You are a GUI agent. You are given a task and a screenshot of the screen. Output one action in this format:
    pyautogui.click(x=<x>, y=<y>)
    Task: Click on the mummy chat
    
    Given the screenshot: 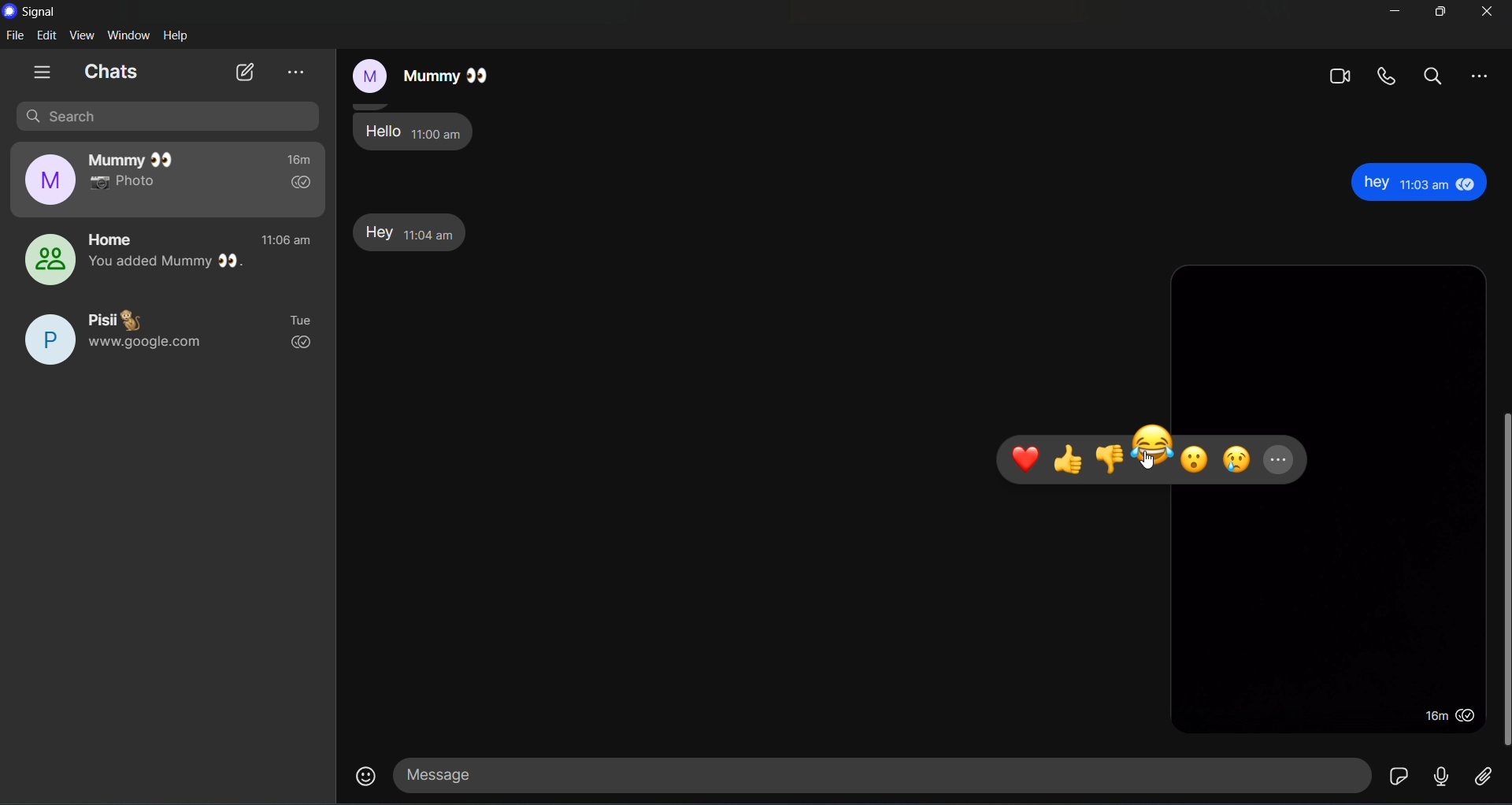 What is the action you would take?
    pyautogui.click(x=168, y=180)
    